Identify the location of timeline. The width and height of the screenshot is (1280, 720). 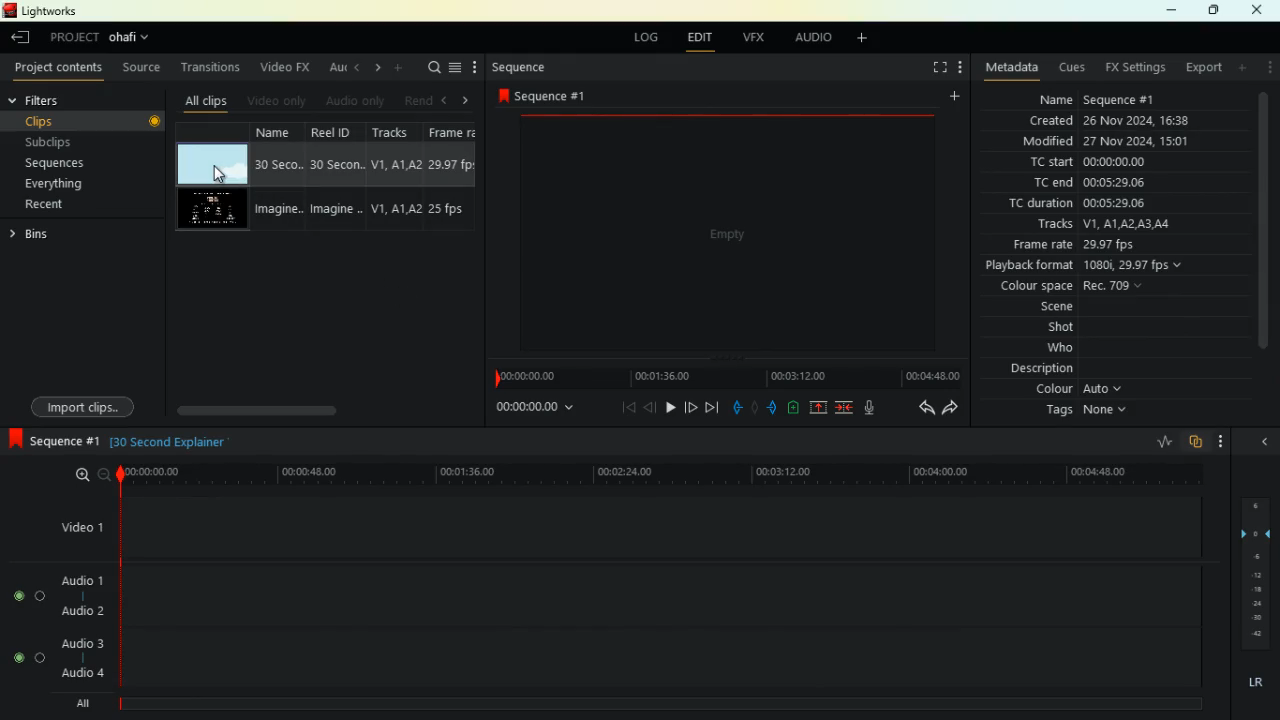
(666, 473).